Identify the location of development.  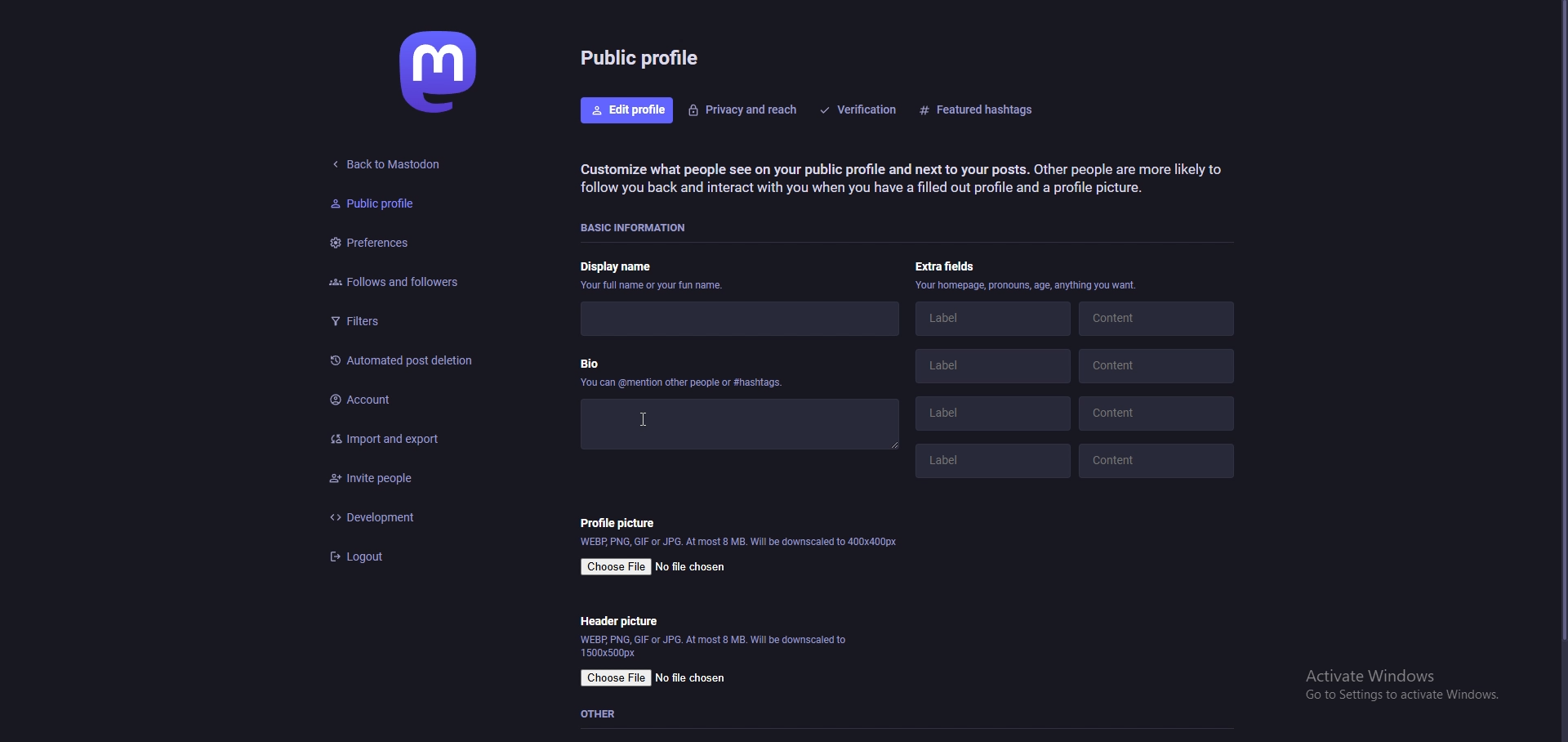
(406, 516).